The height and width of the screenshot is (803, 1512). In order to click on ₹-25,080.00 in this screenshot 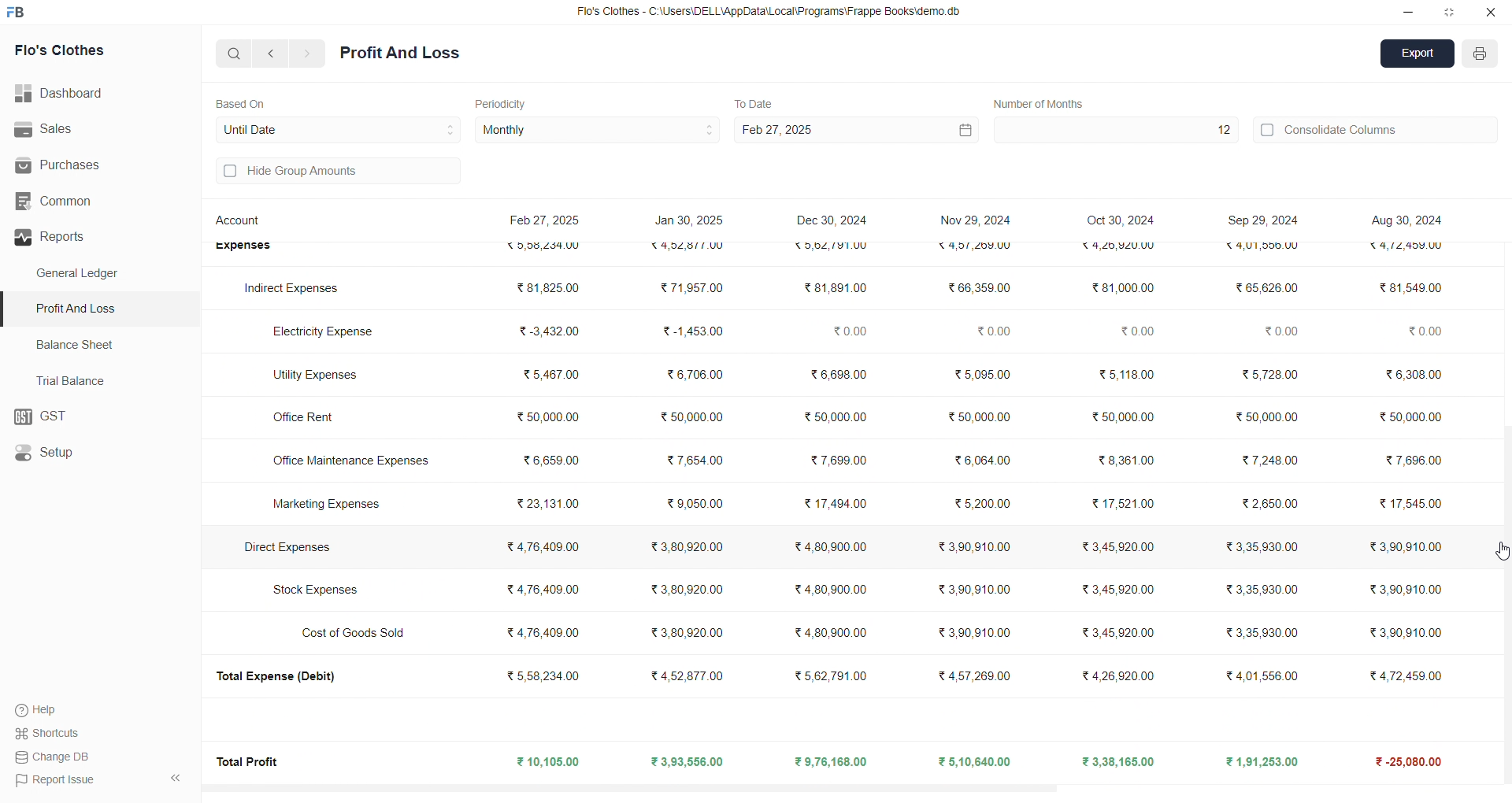, I will do `click(1402, 762)`.